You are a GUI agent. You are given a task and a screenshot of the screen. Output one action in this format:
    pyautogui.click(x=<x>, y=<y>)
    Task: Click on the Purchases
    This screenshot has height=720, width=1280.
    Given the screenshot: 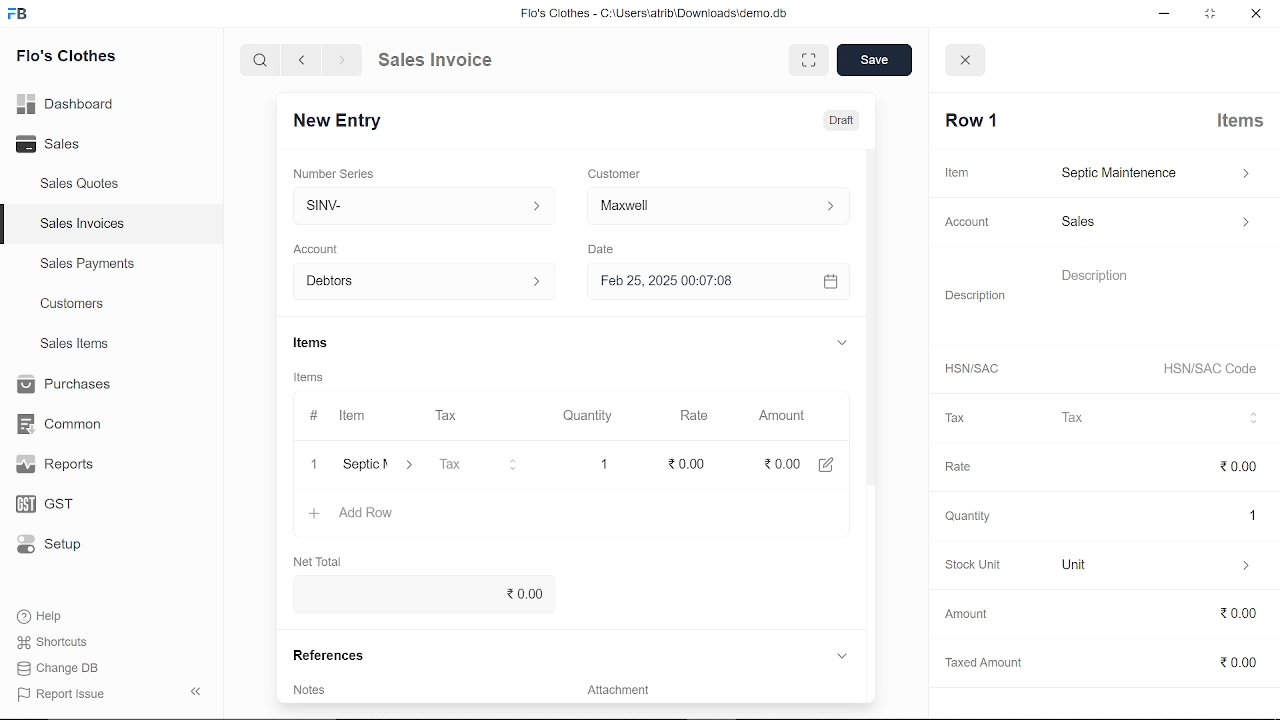 What is the action you would take?
    pyautogui.click(x=67, y=386)
    